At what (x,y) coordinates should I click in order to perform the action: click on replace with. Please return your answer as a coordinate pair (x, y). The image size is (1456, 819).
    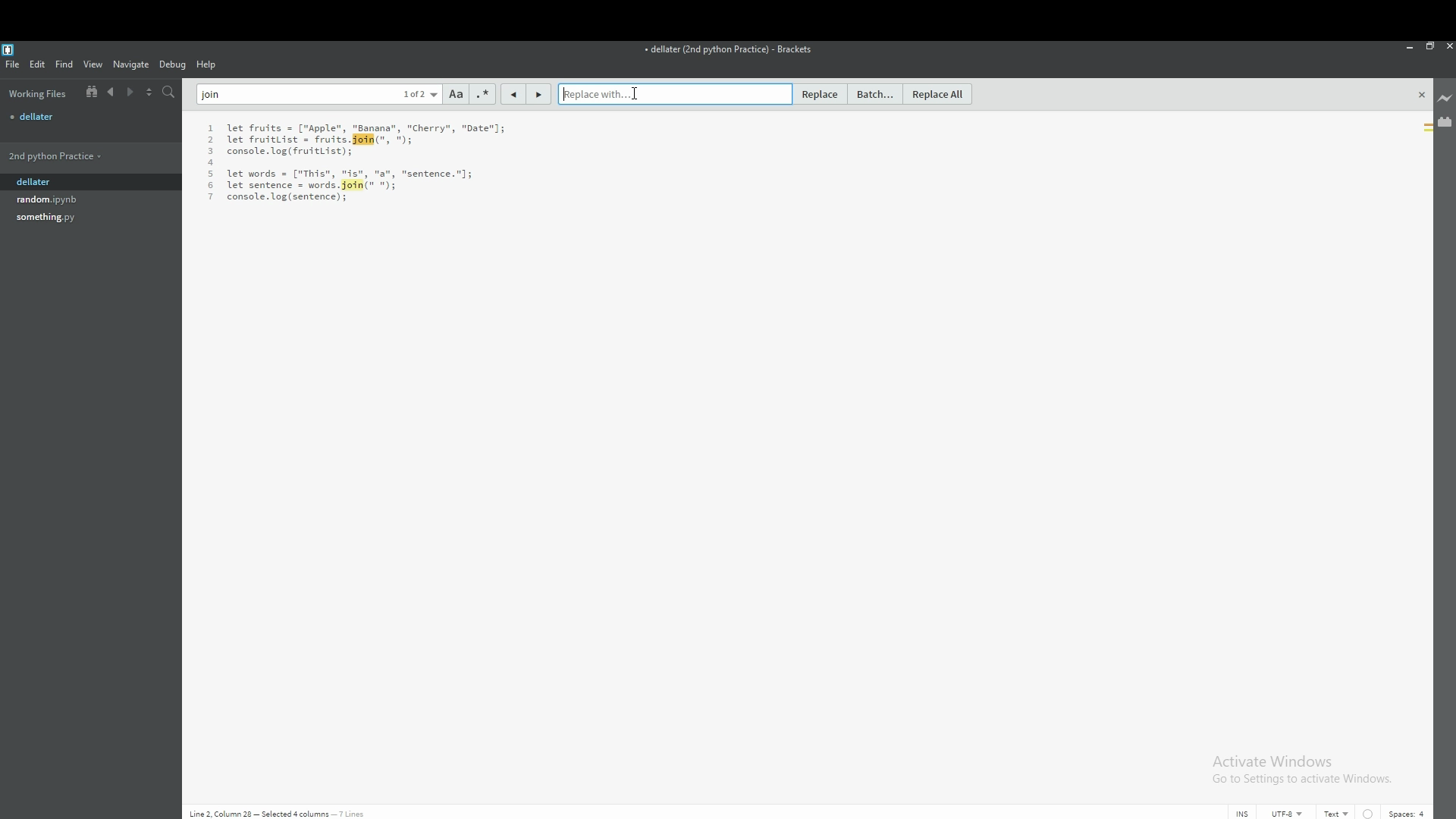
    Looking at the image, I should click on (674, 93).